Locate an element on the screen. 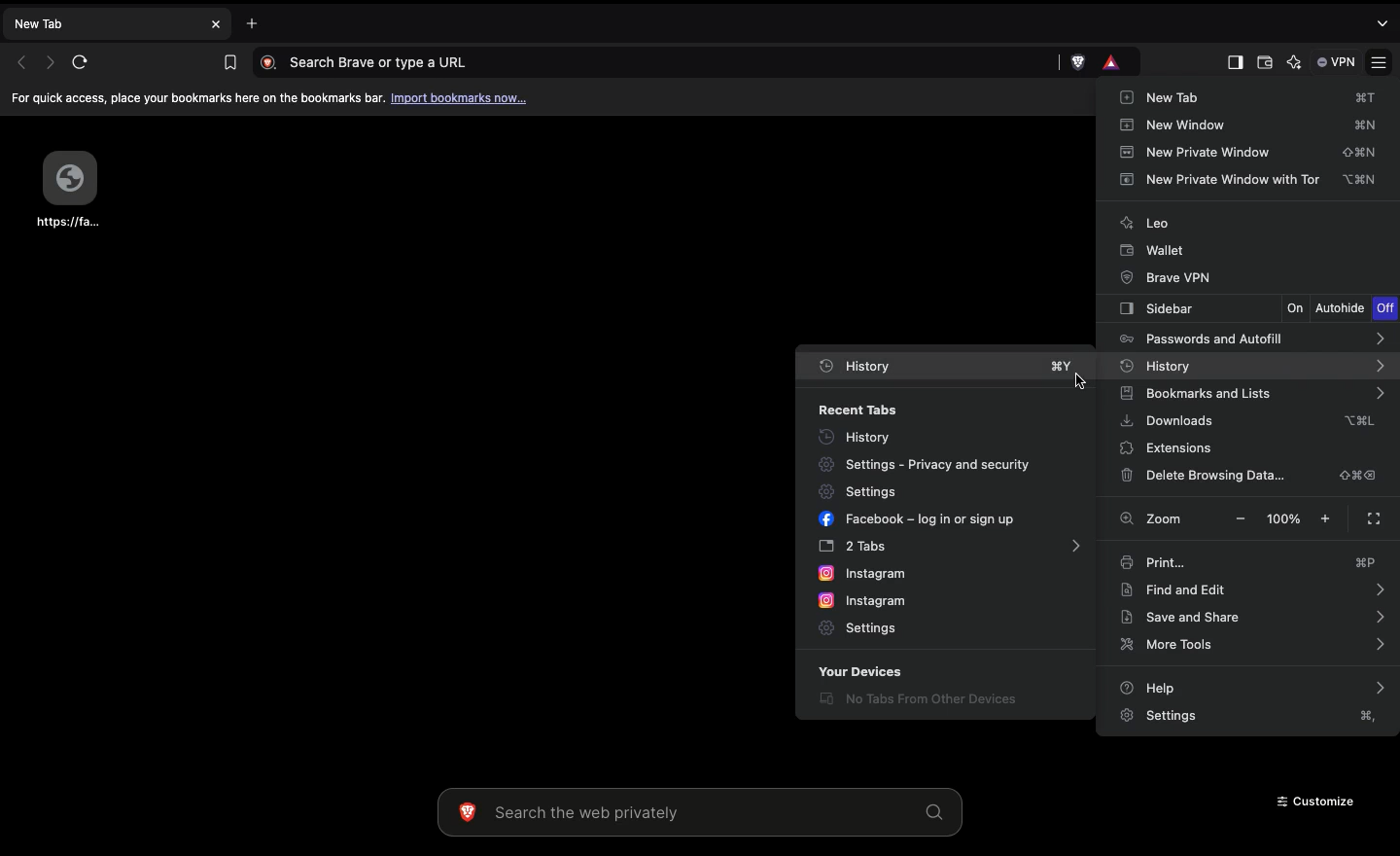 The height and width of the screenshot is (856, 1400). New tab is located at coordinates (1247, 97).